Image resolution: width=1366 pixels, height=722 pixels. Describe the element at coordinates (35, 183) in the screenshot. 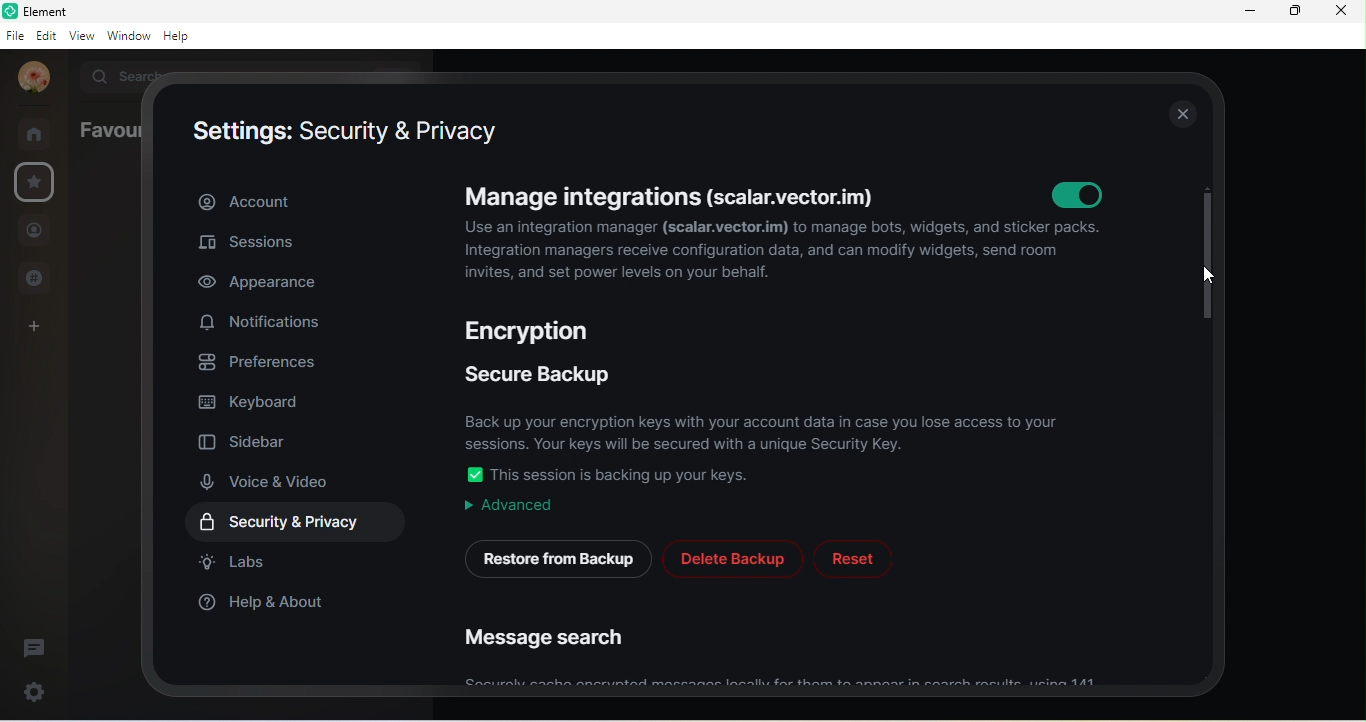

I see `favourites` at that location.